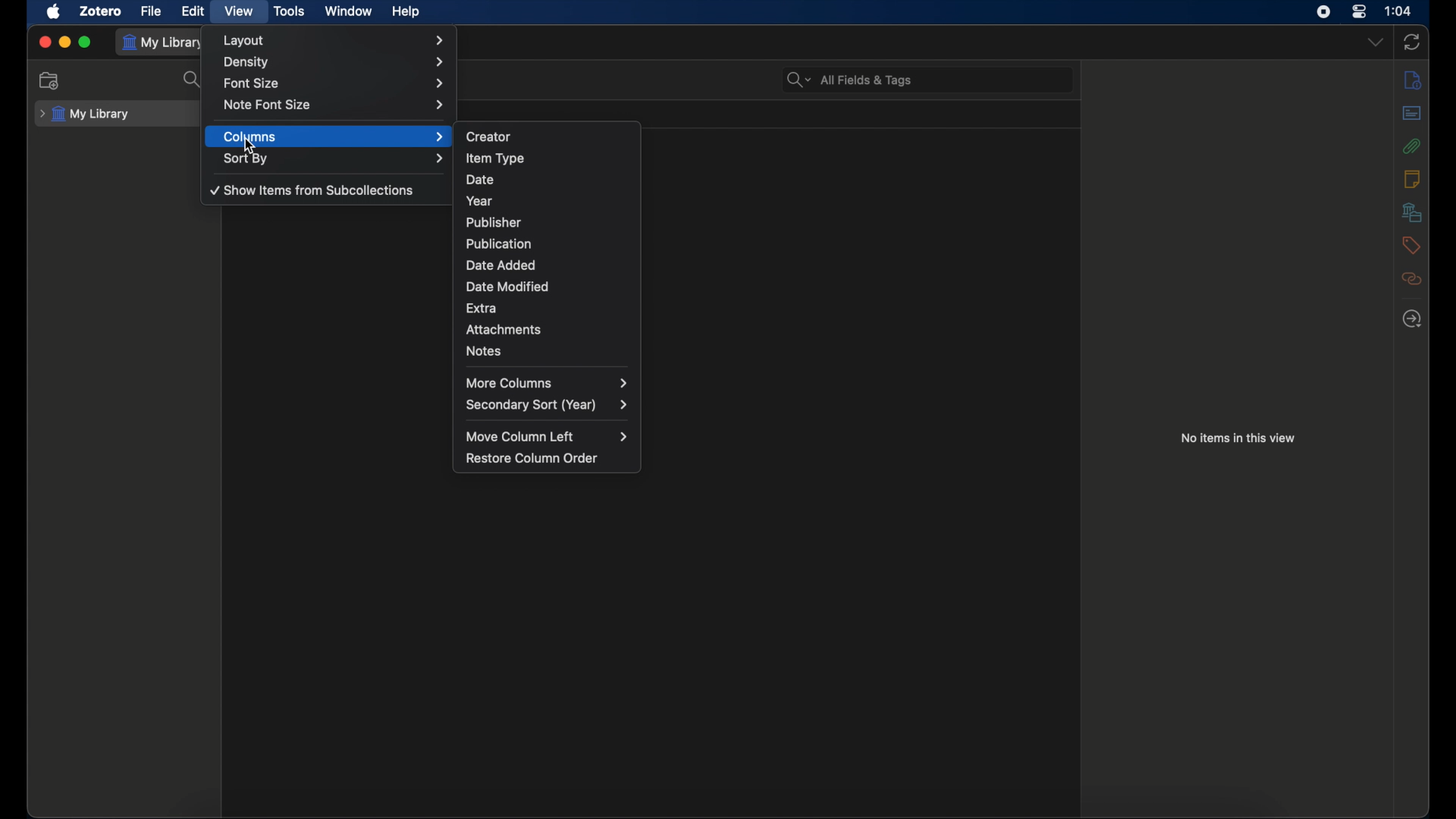 This screenshot has height=819, width=1456. Describe the element at coordinates (85, 42) in the screenshot. I see `maximize` at that location.